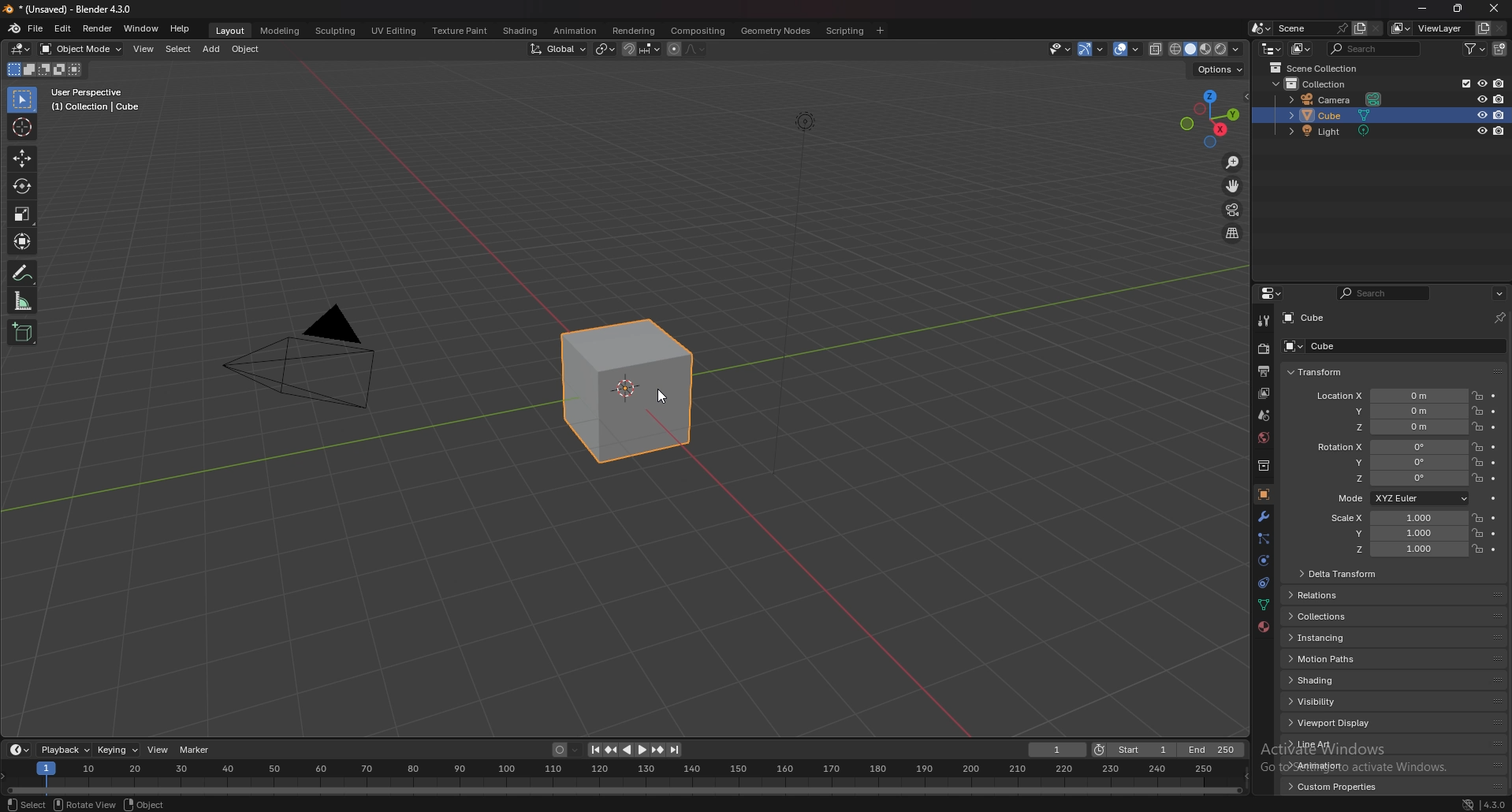  I want to click on view layer, so click(1263, 395).